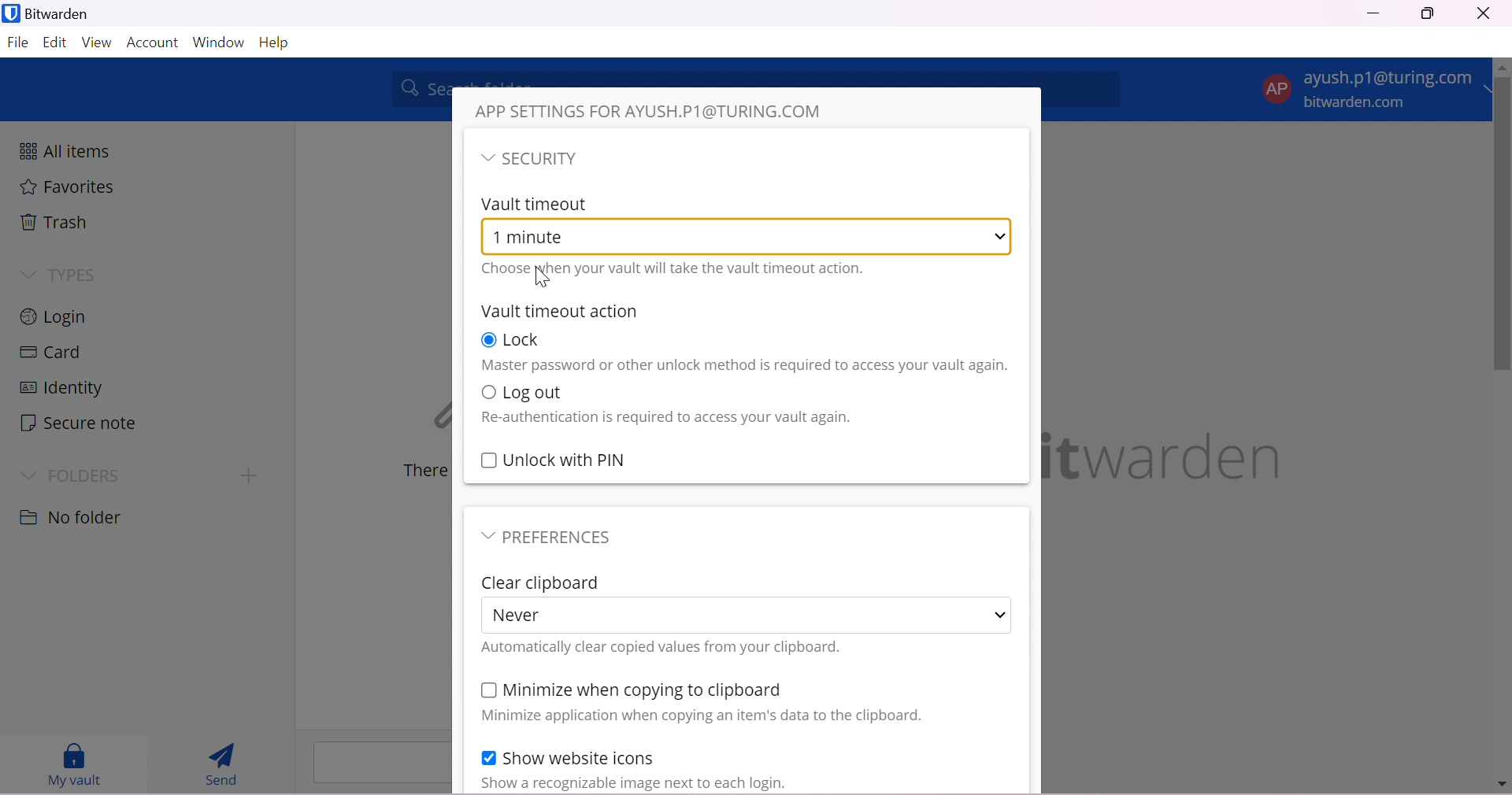 The image size is (1512, 795). What do you see at coordinates (543, 584) in the screenshot?
I see `Clear Clipboard` at bounding box center [543, 584].